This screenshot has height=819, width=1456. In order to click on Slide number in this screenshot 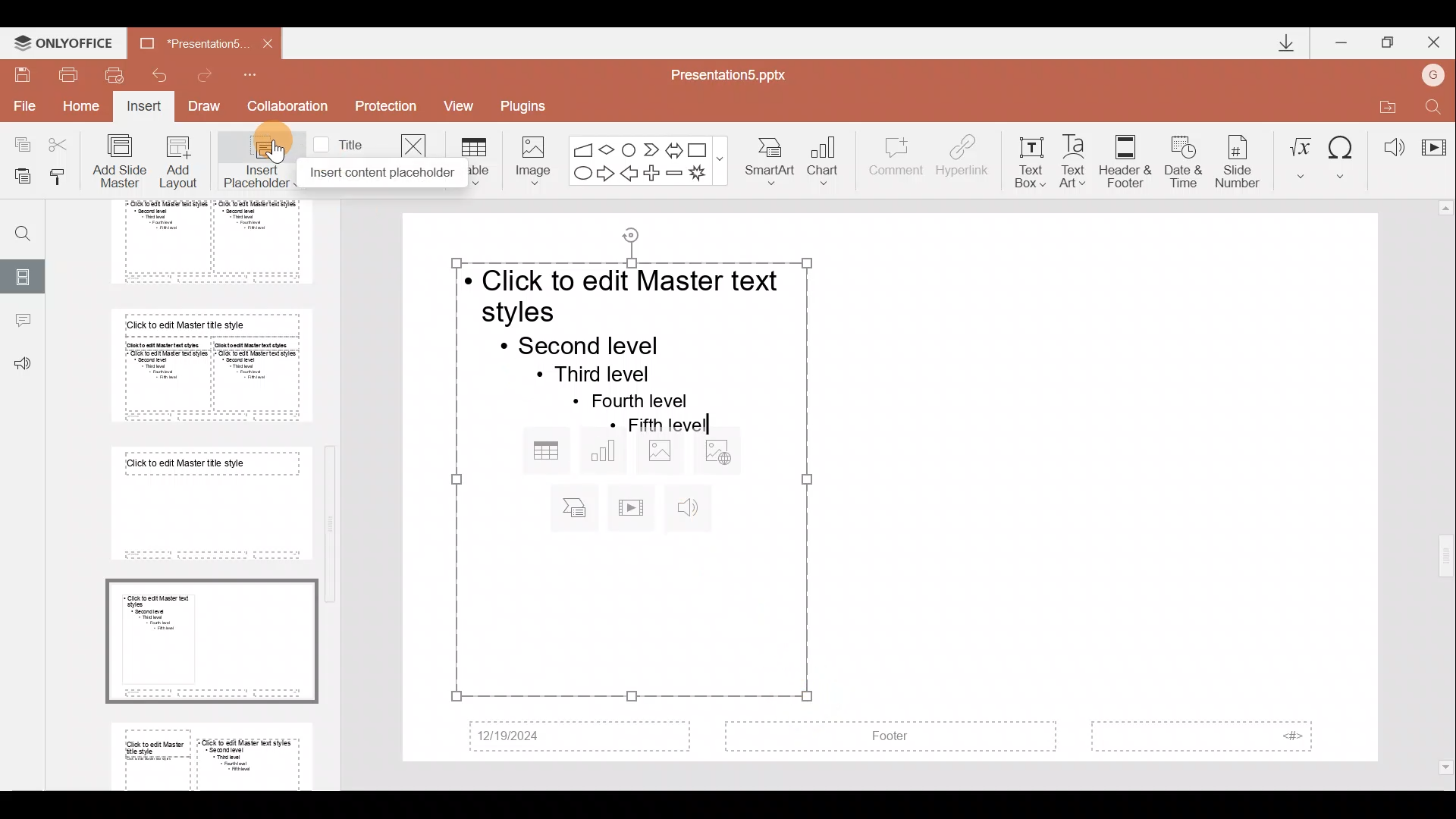, I will do `click(1241, 158)`.